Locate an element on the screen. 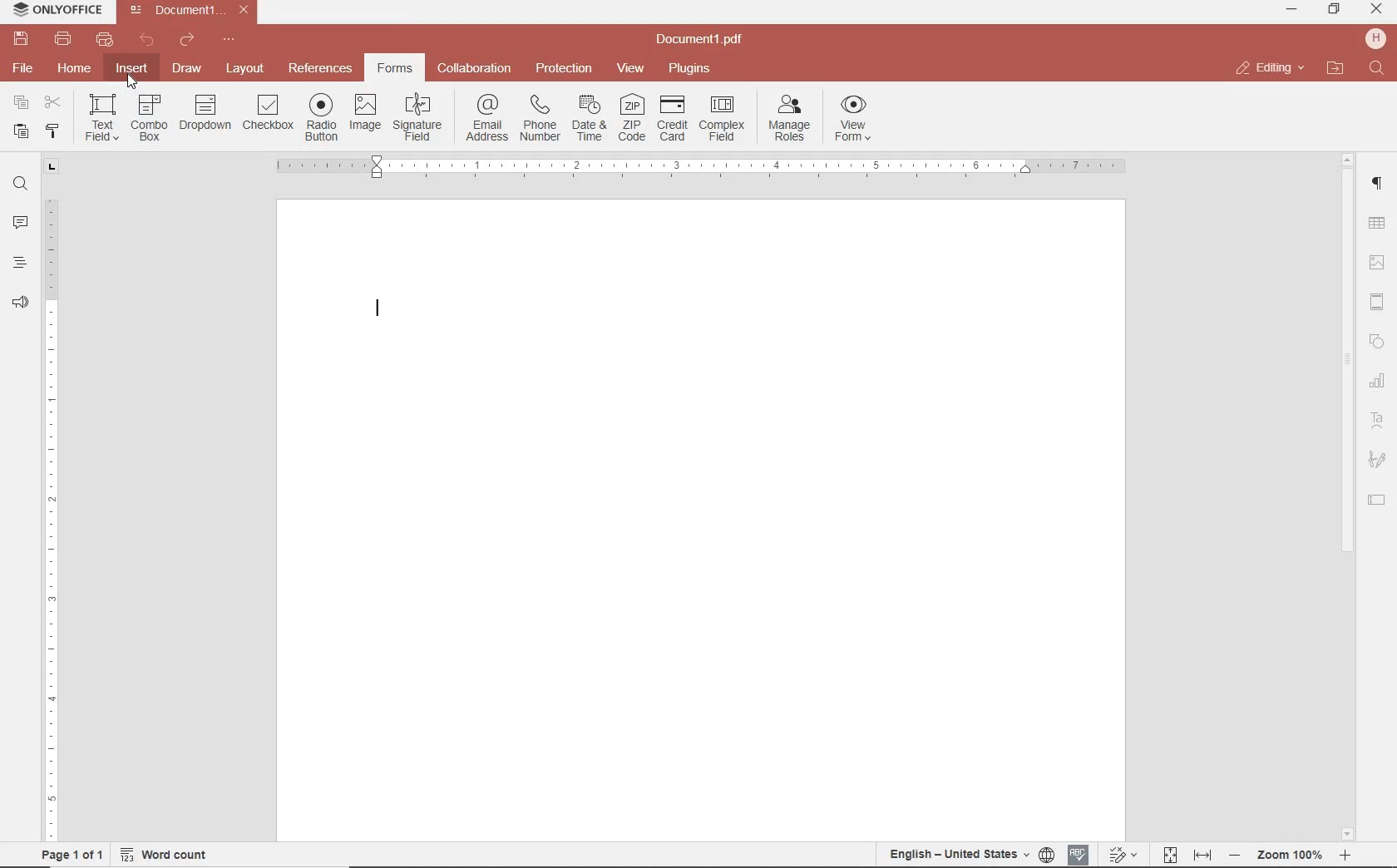 Image resolution: width=1397 pixels, height=868 pixels. file is located at coordinates (24, 68).